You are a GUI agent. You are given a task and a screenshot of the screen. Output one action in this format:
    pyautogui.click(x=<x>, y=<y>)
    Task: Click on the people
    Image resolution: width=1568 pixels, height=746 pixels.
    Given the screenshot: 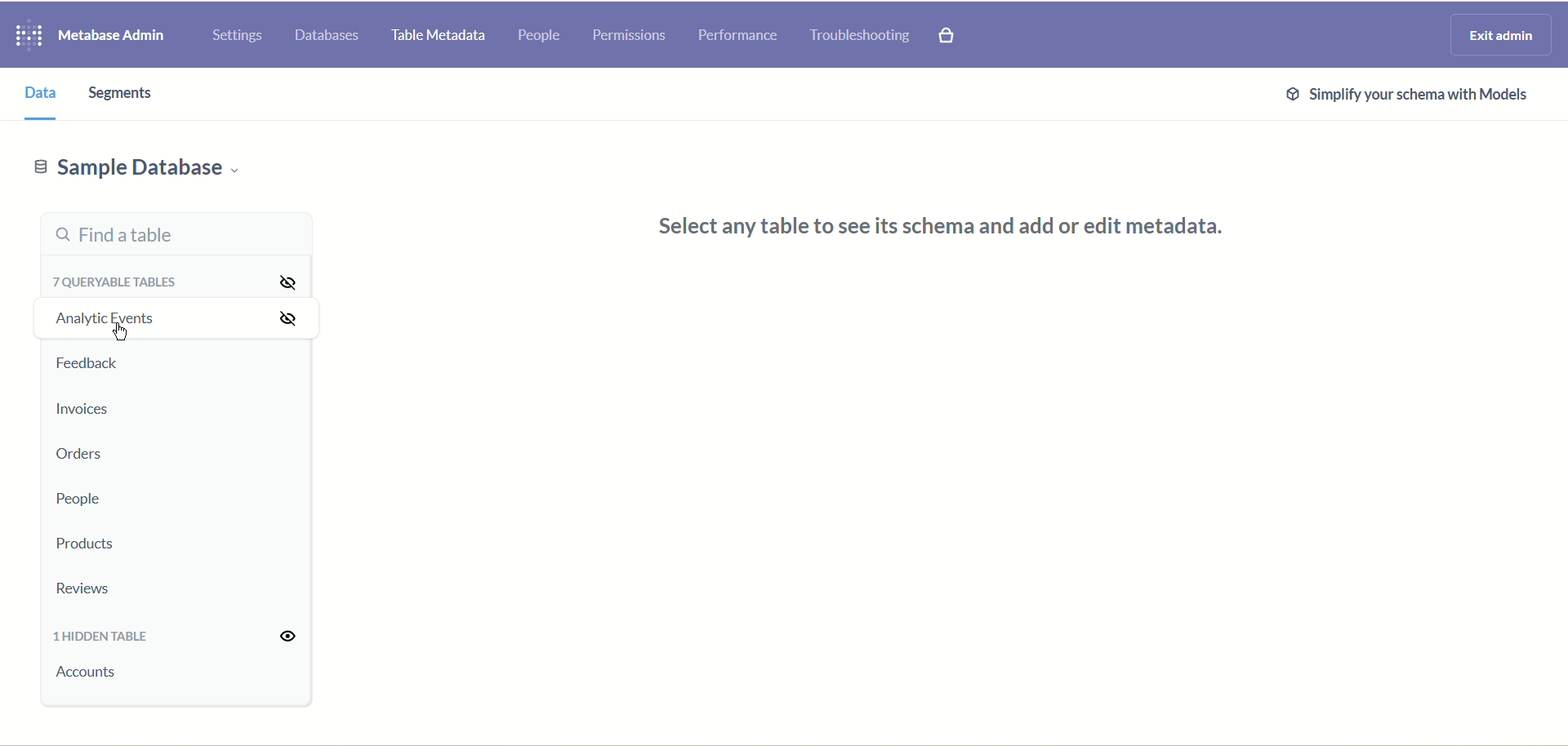 What is the action you would take?
    pyautogui.click(x=538, y=37)
    